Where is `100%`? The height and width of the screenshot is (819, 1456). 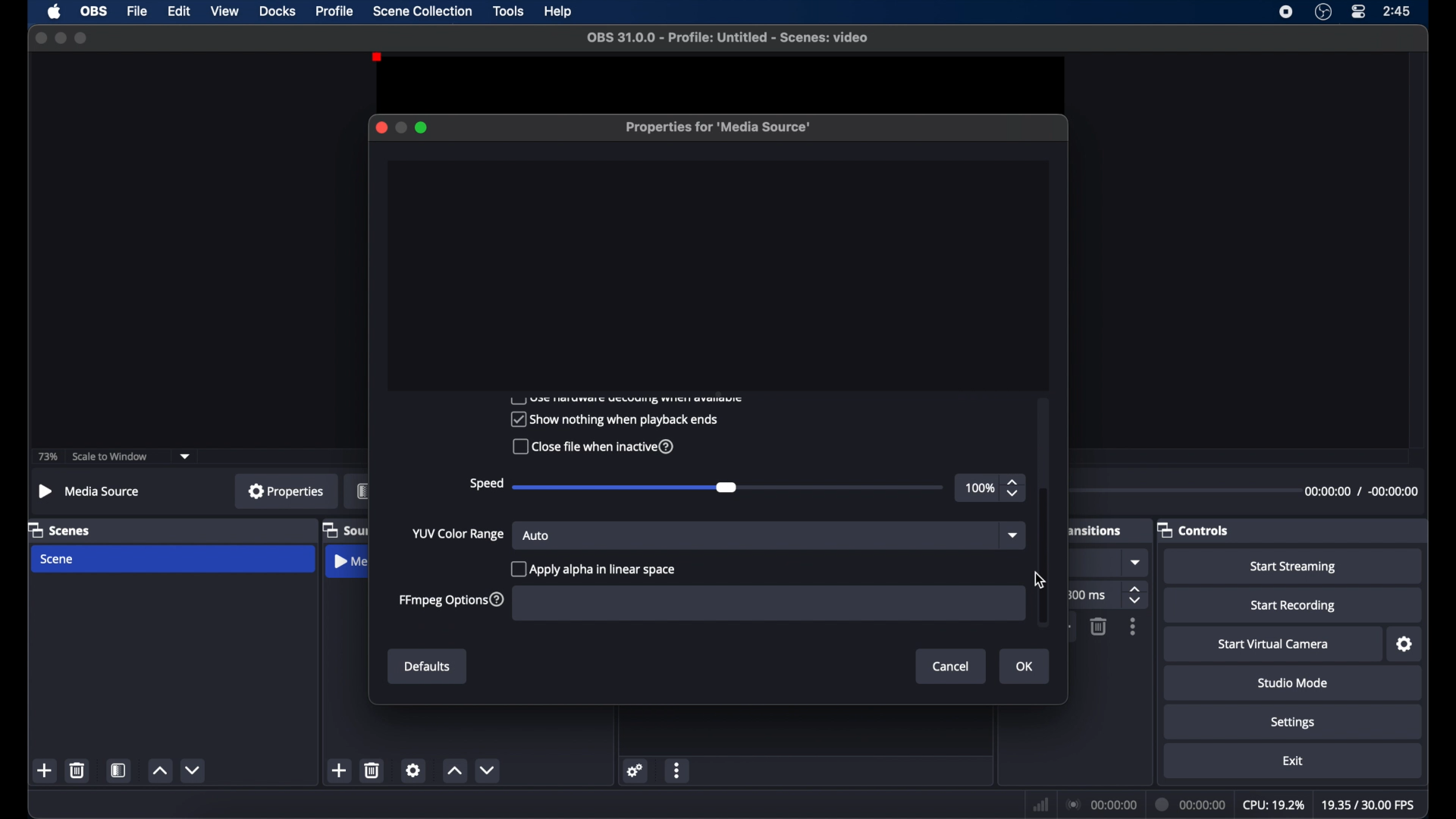
100% is located at coordinates (978, 488).